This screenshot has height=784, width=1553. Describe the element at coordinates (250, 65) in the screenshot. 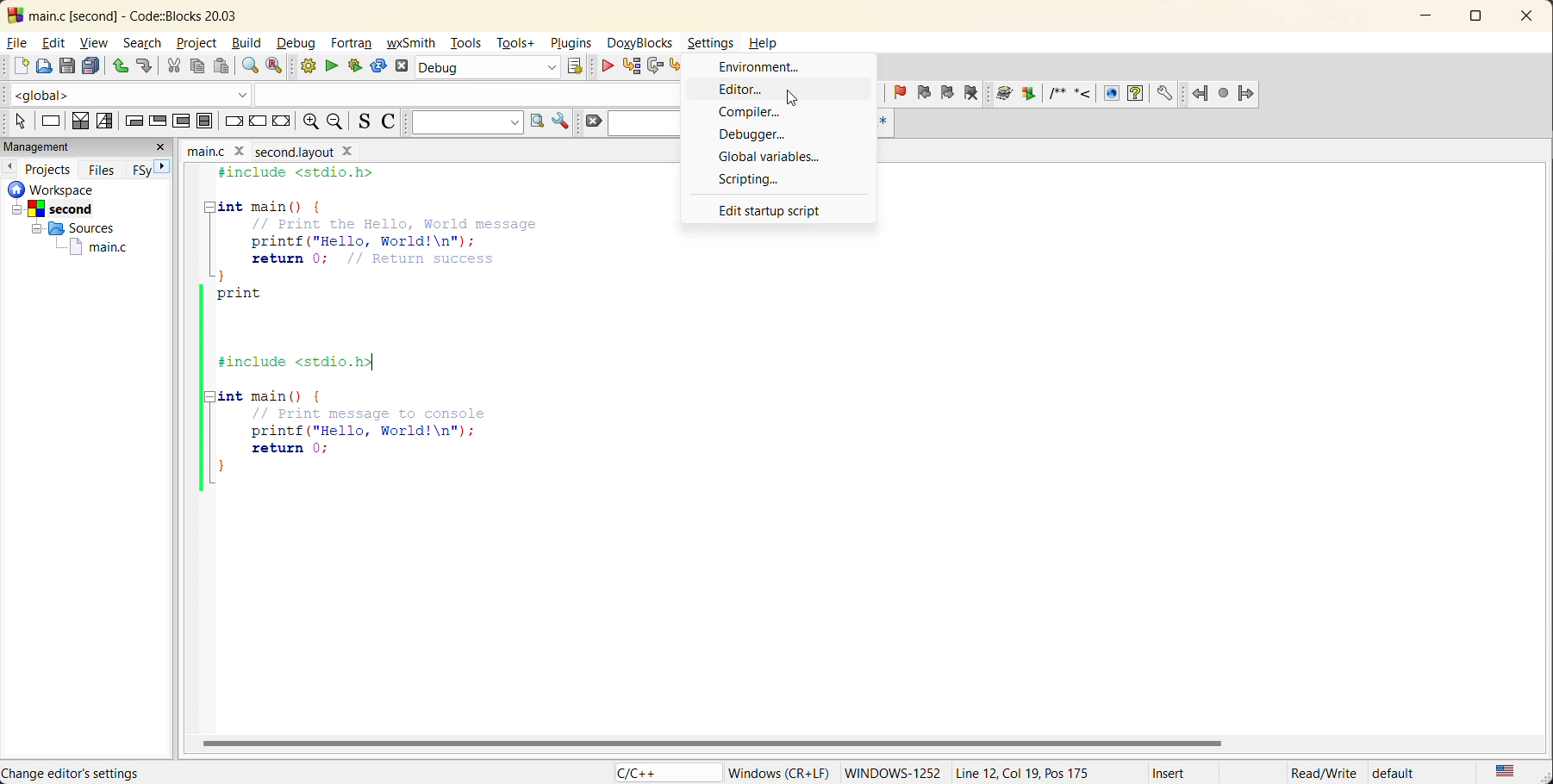

I see `find` at that location.